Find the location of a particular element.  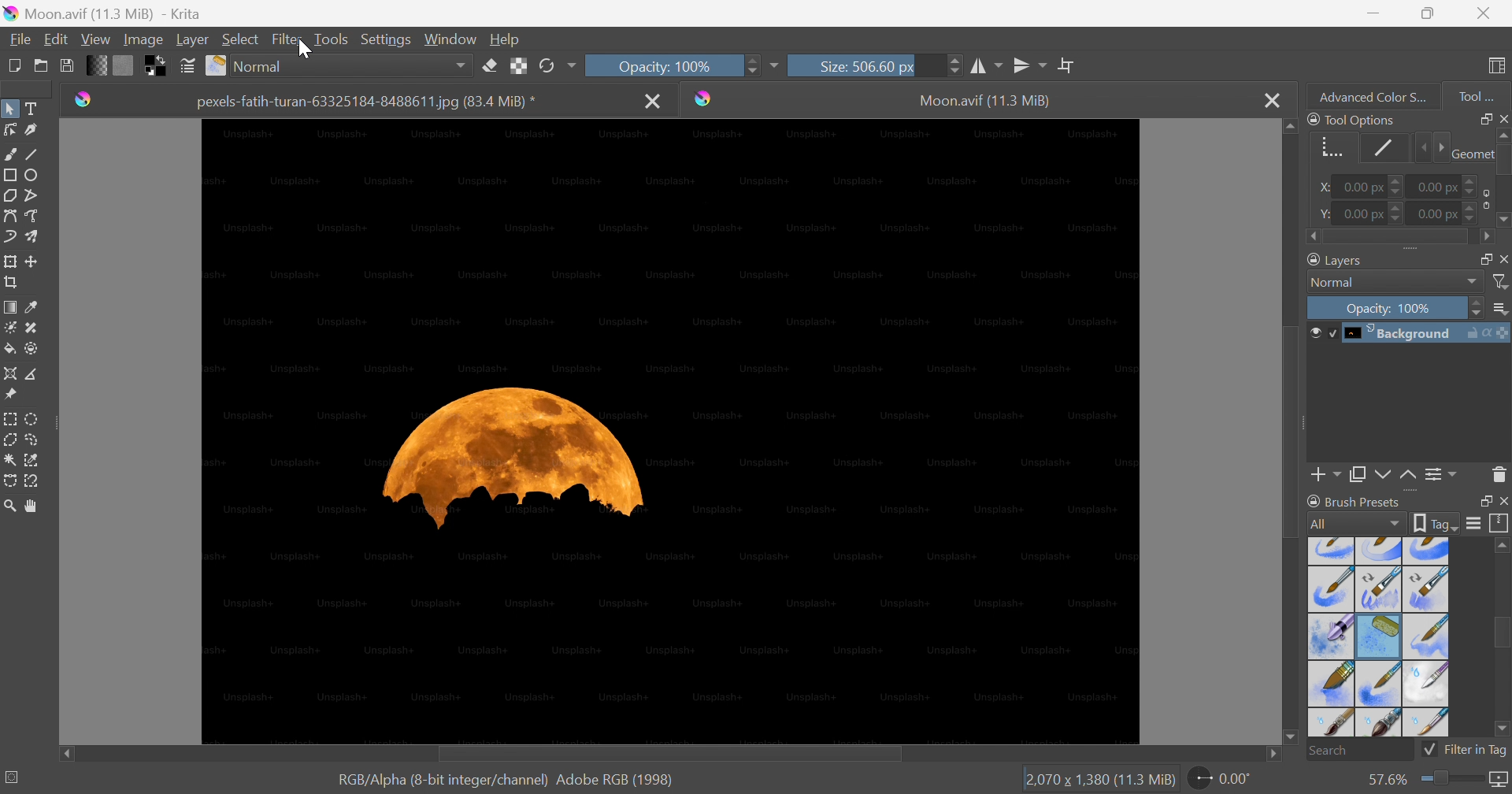

tag is located at coordinates (1436, 524).